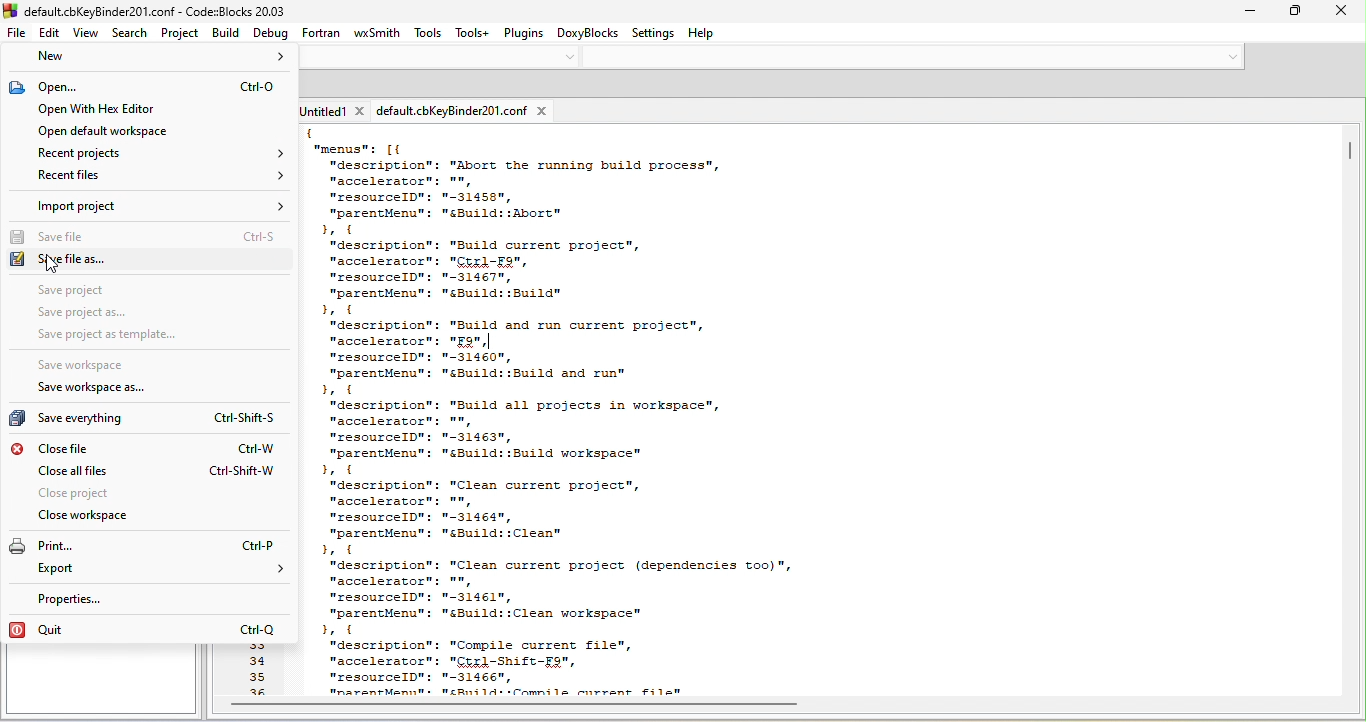  What do you see at coordinates (333, 111) in the screenshot?
I see `untitled1` at bounding box center [333, 111].